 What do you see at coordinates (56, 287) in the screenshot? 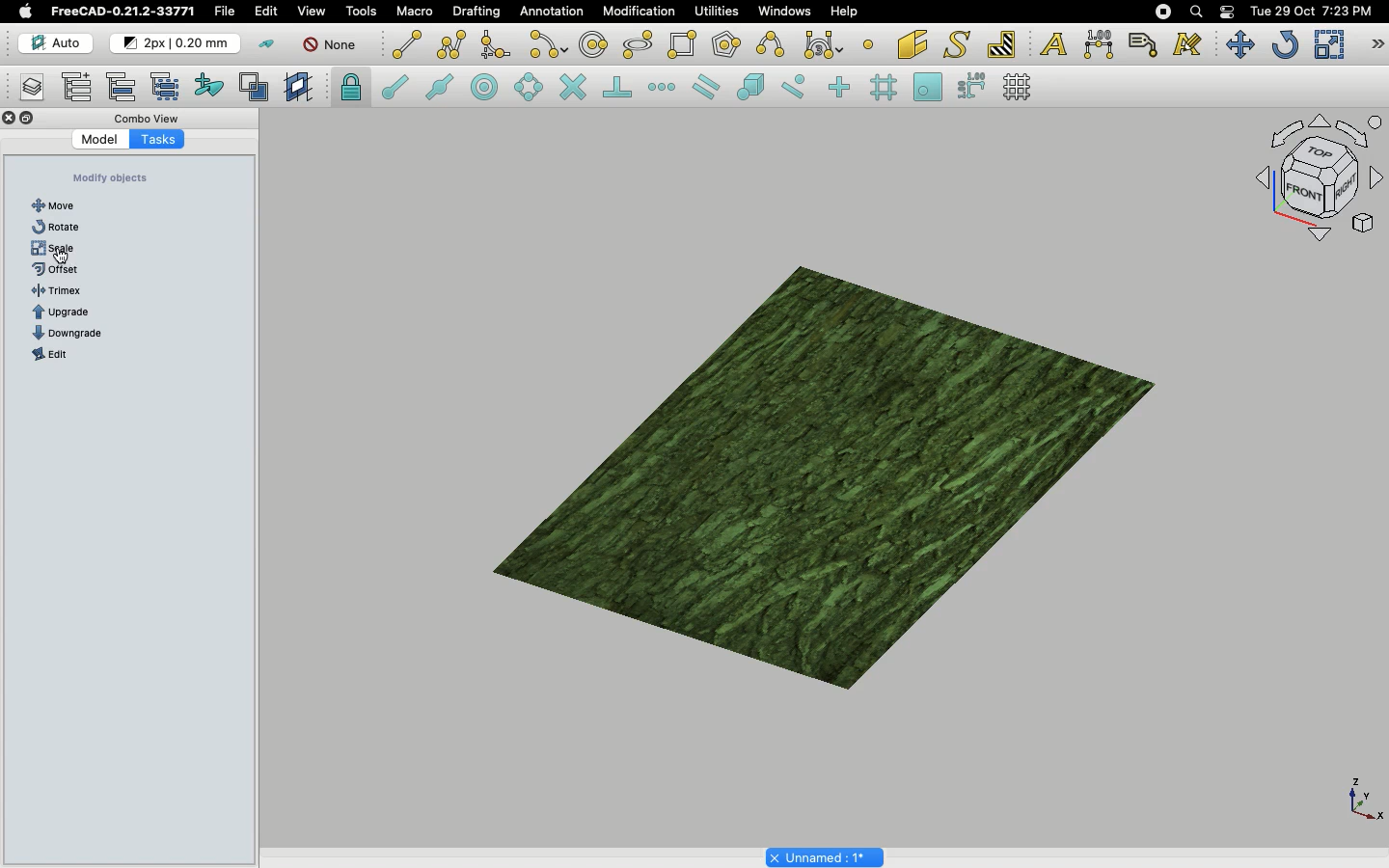
I see `Circle` at bounding box center [56, 287].